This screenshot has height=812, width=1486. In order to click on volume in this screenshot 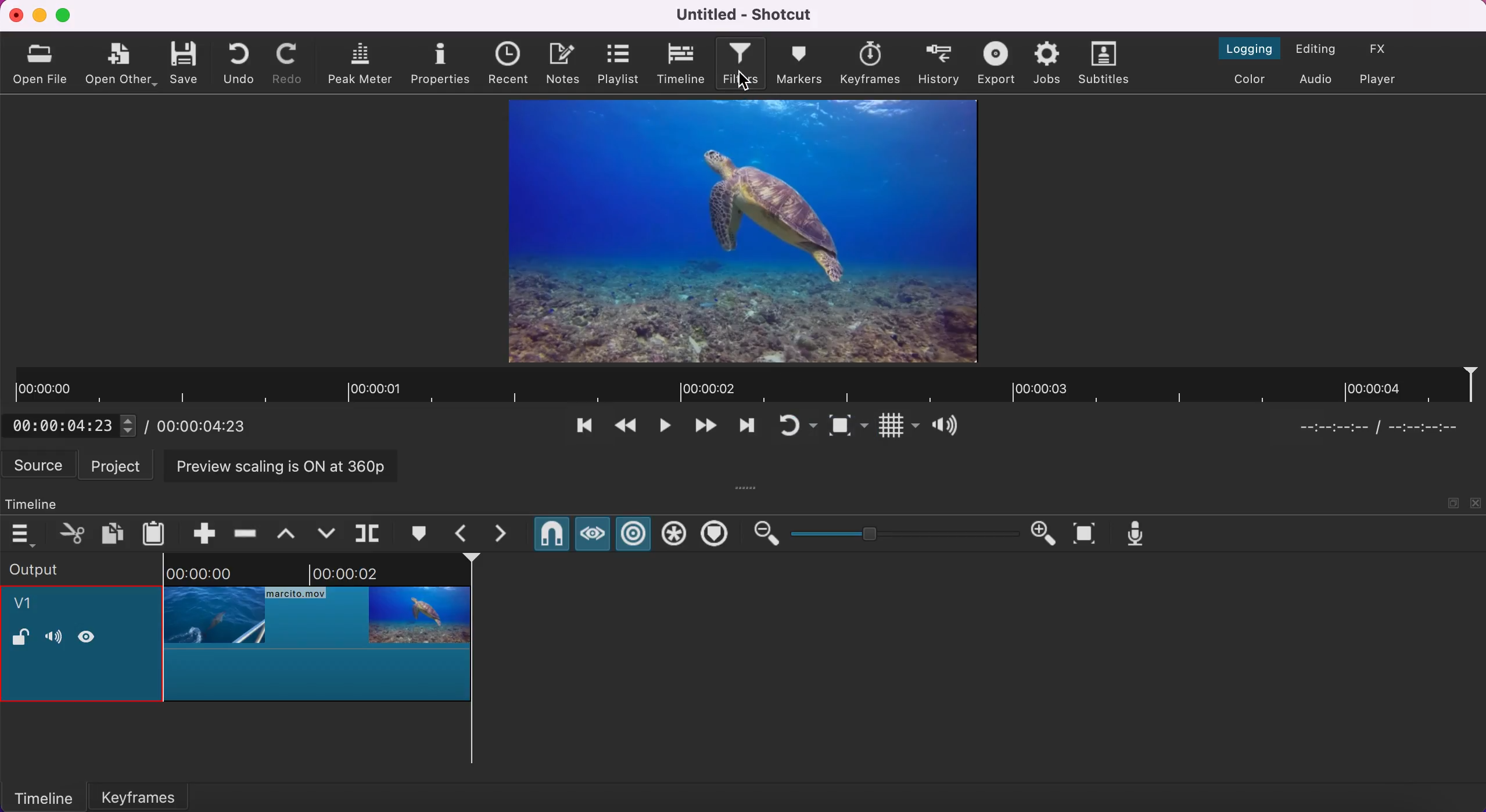, I will do `click(53, 638)`.